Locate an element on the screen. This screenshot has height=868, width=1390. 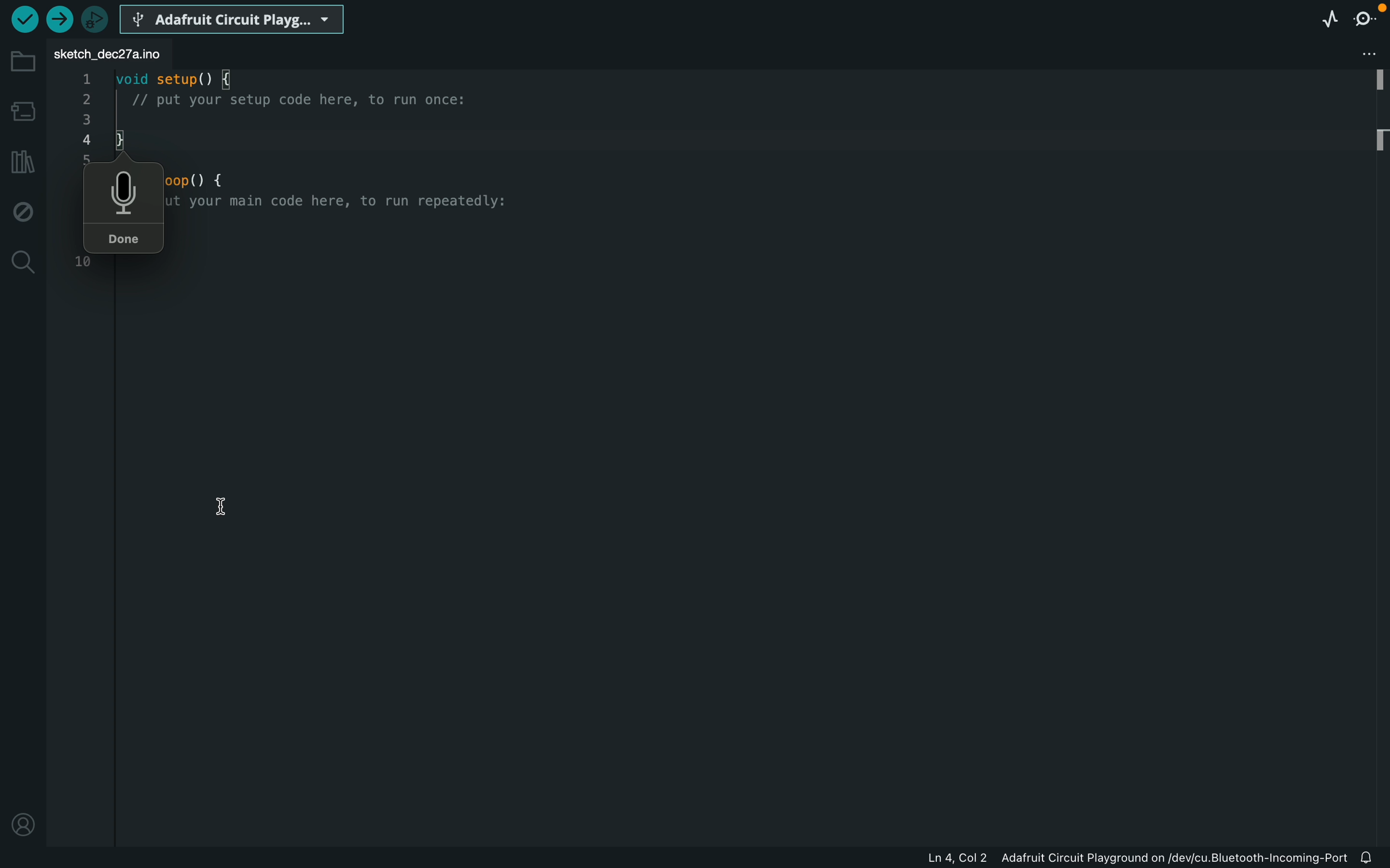
notification is located at coordinates (1372, 858).